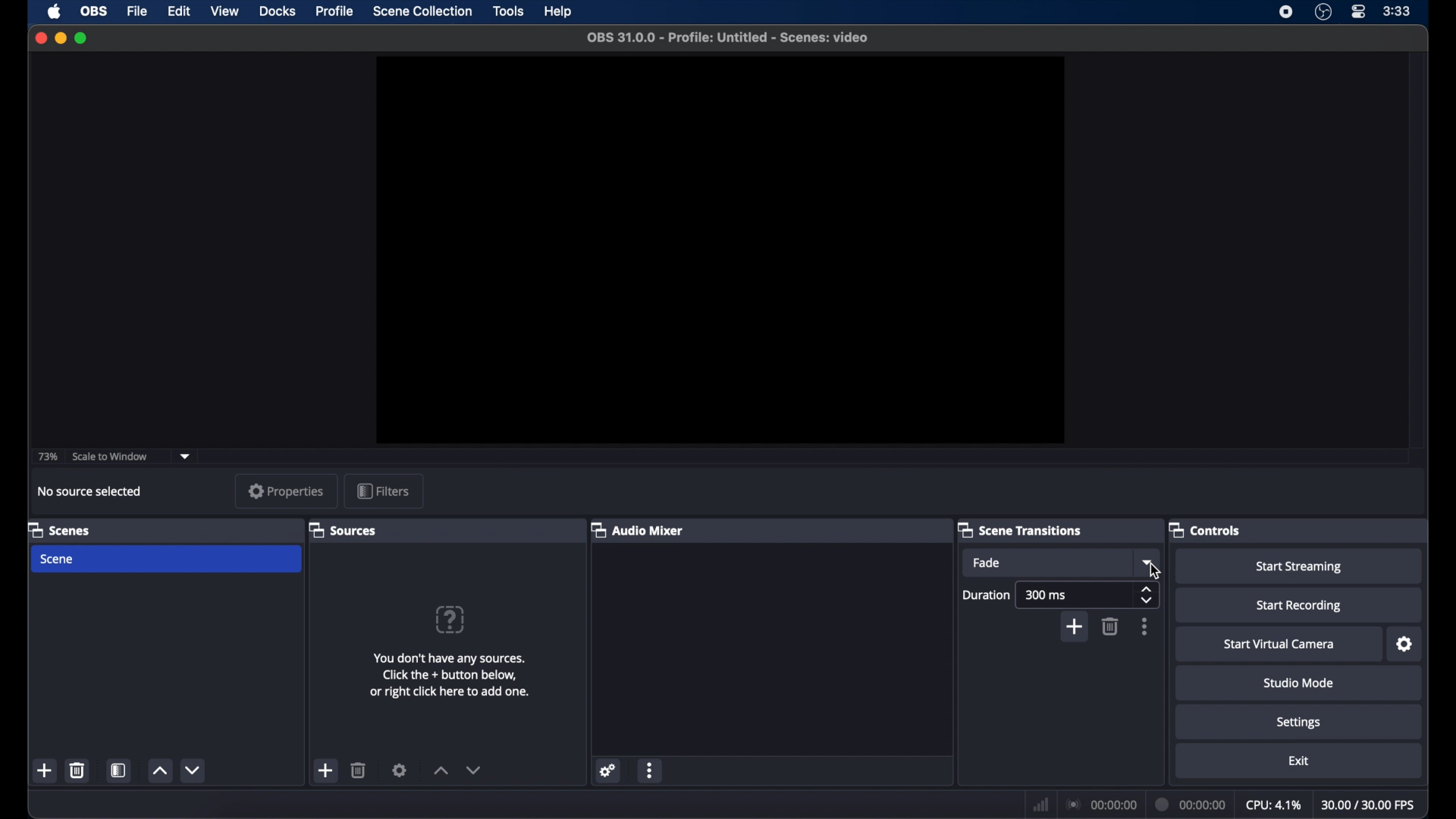  Describe the element at coordinates (109, 457) in the screenshot. I see `scale to window` at that location.